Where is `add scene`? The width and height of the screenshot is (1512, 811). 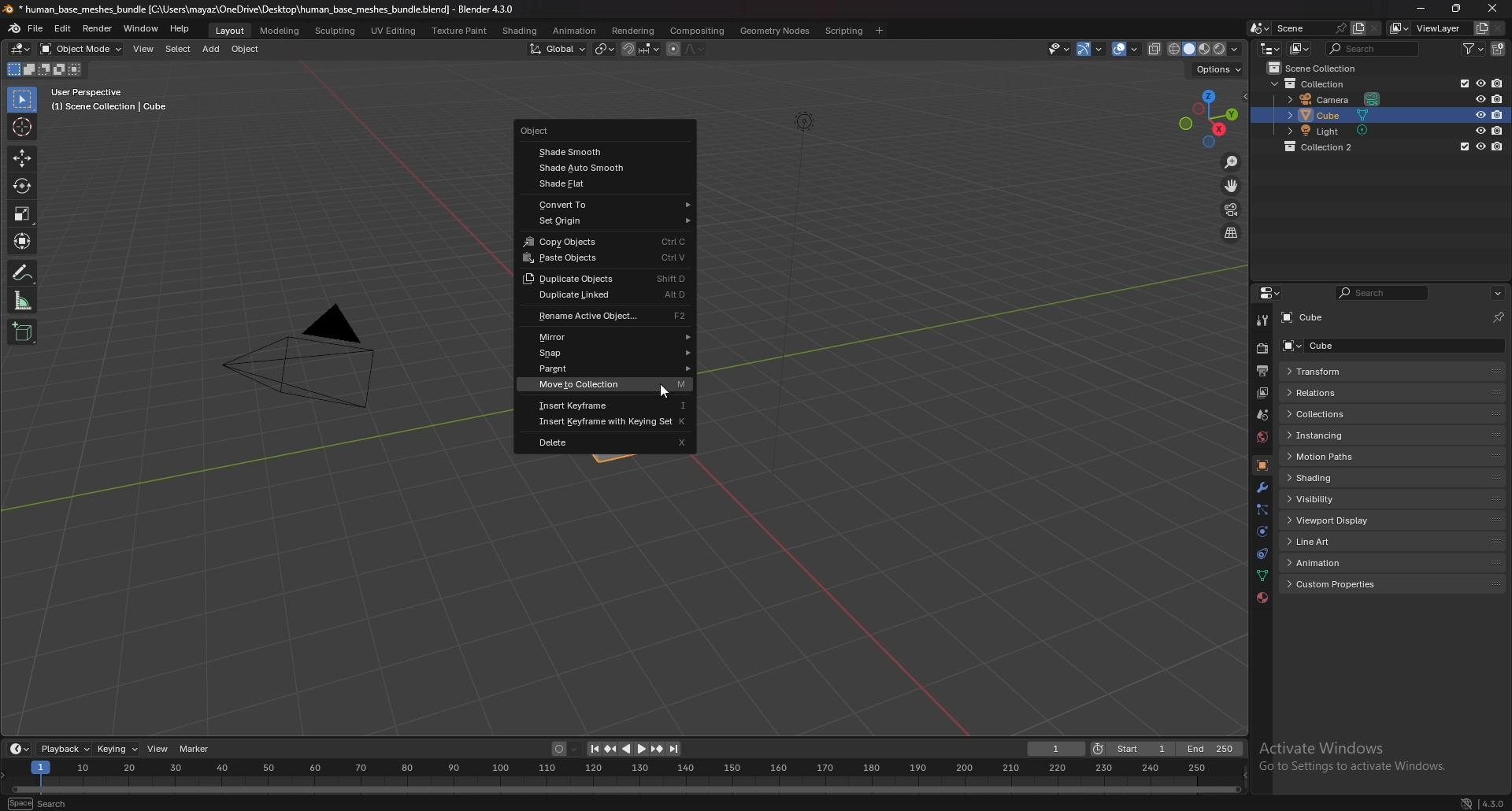
add scene is located at coordinates (1358, 28).